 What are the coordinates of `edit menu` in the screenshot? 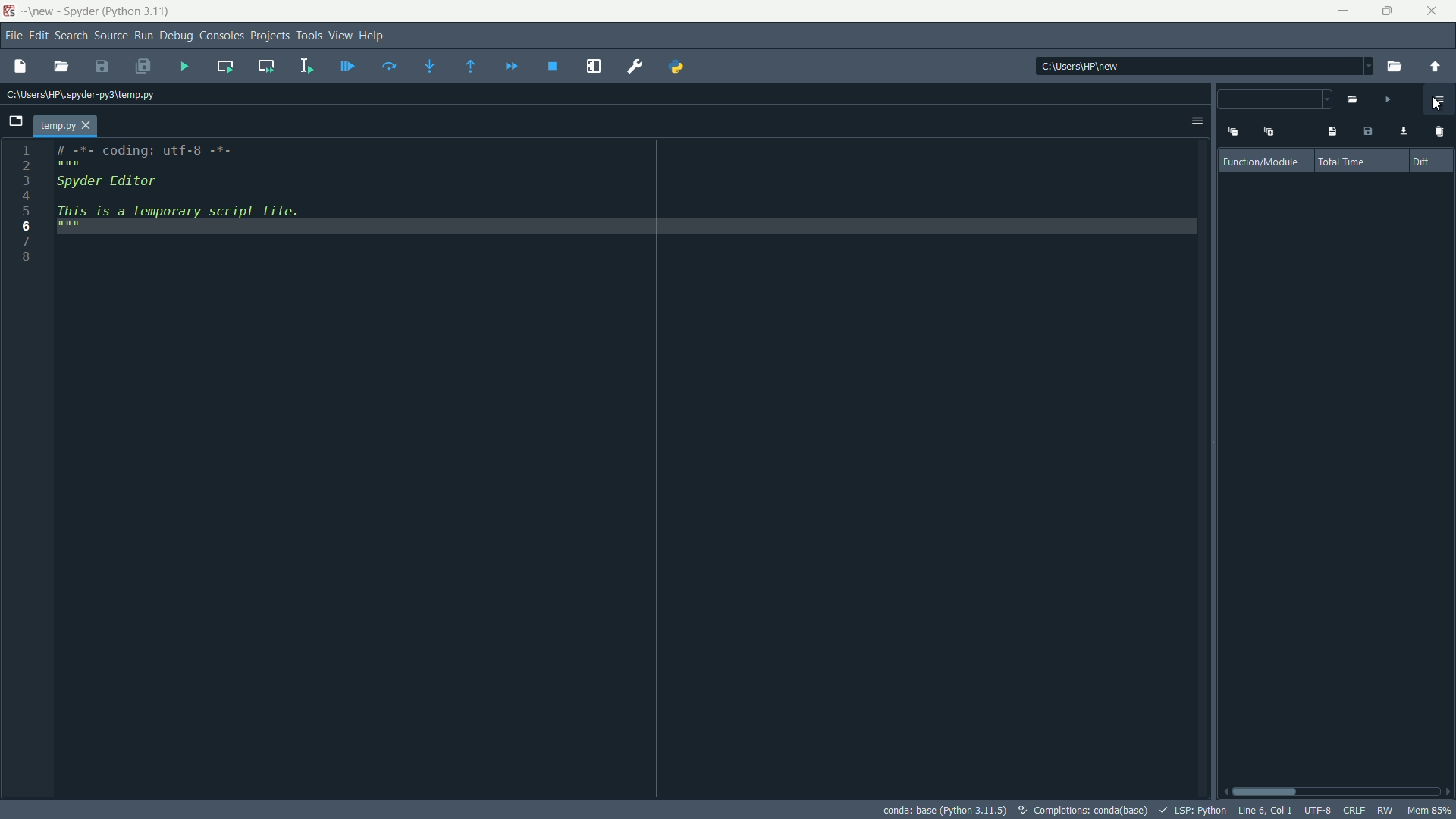 It's located at (38, 36).